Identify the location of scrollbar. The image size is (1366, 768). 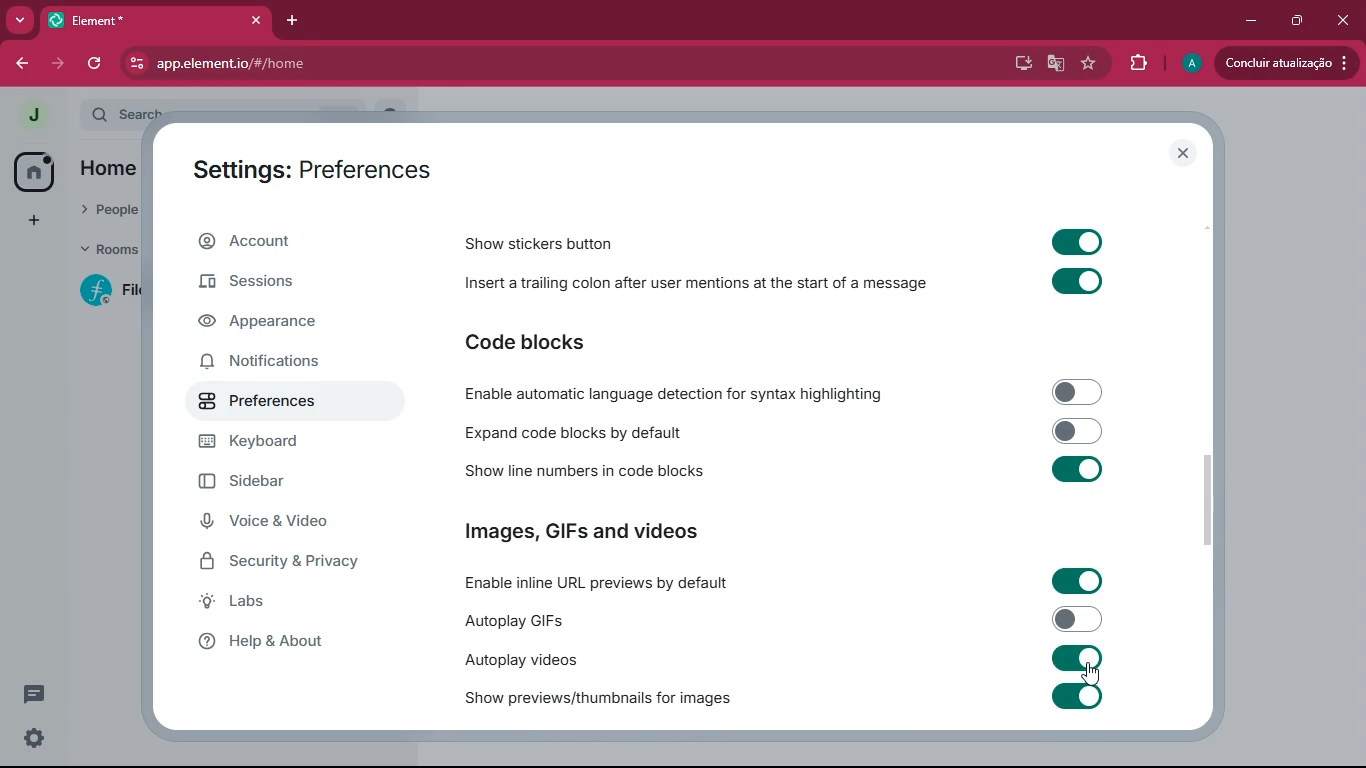
(1207, 499).